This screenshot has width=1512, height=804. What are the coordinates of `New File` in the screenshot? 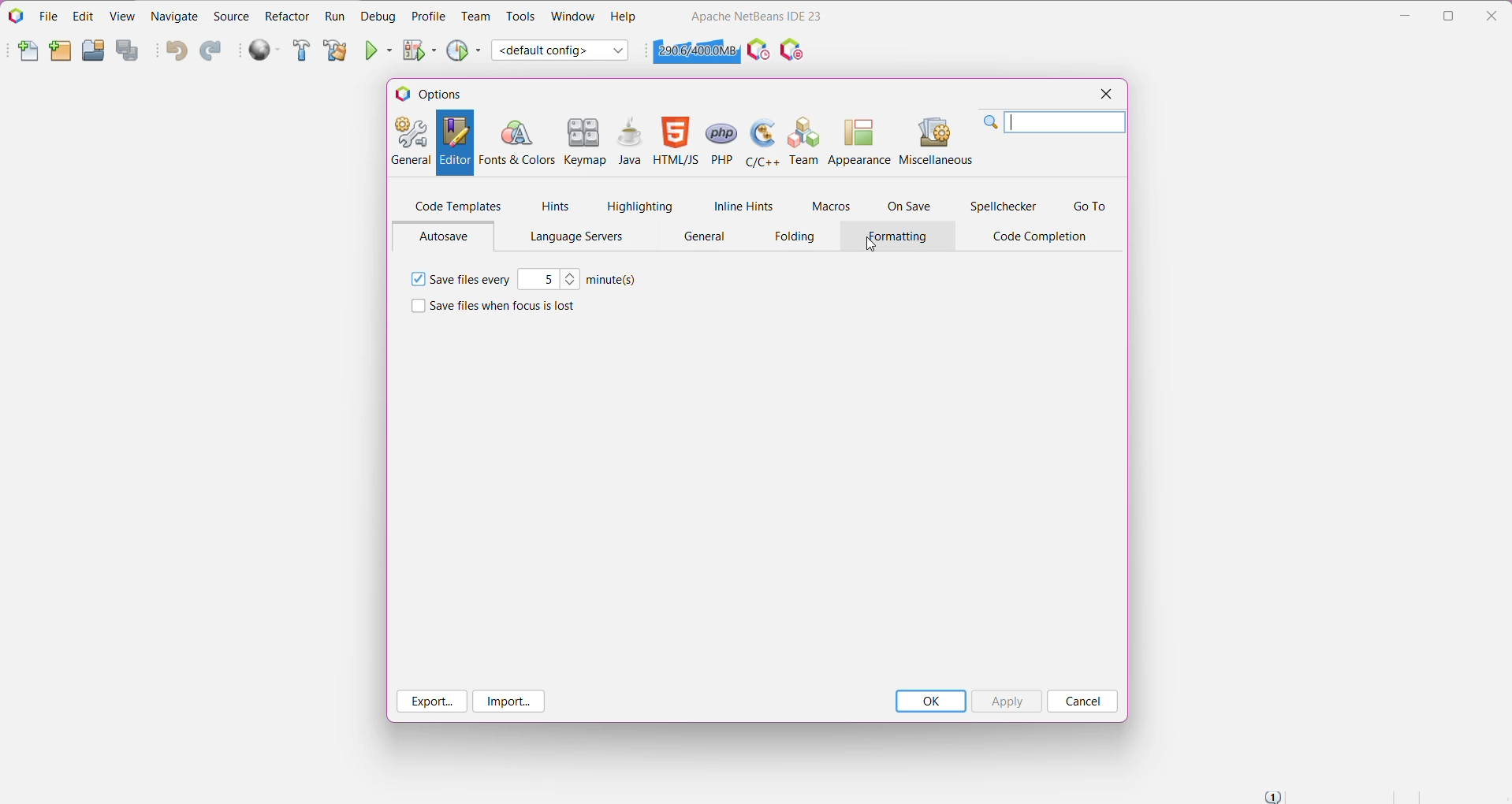 It's located at (28, 54).